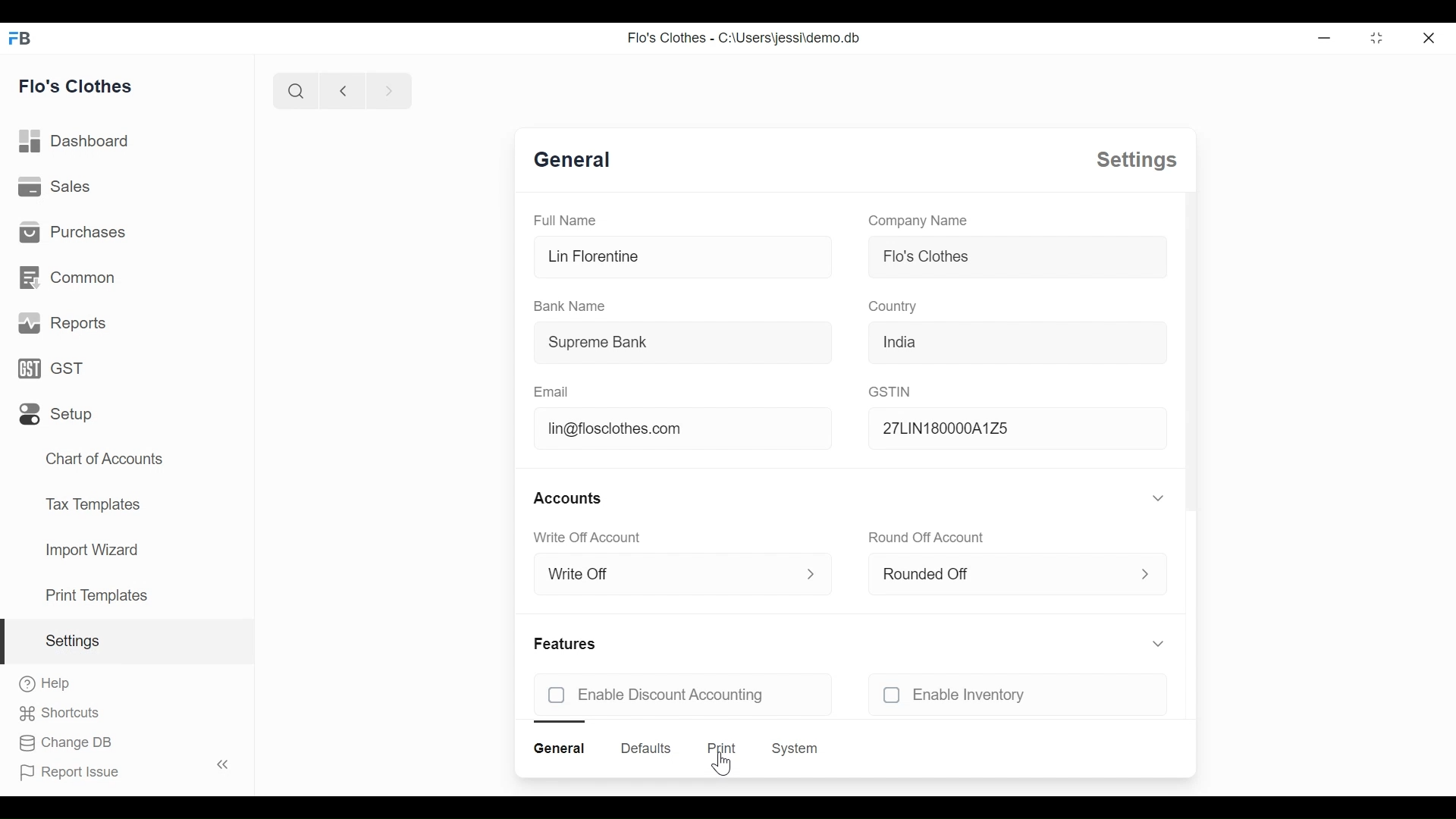  I want to click on email, so click(552, 392).